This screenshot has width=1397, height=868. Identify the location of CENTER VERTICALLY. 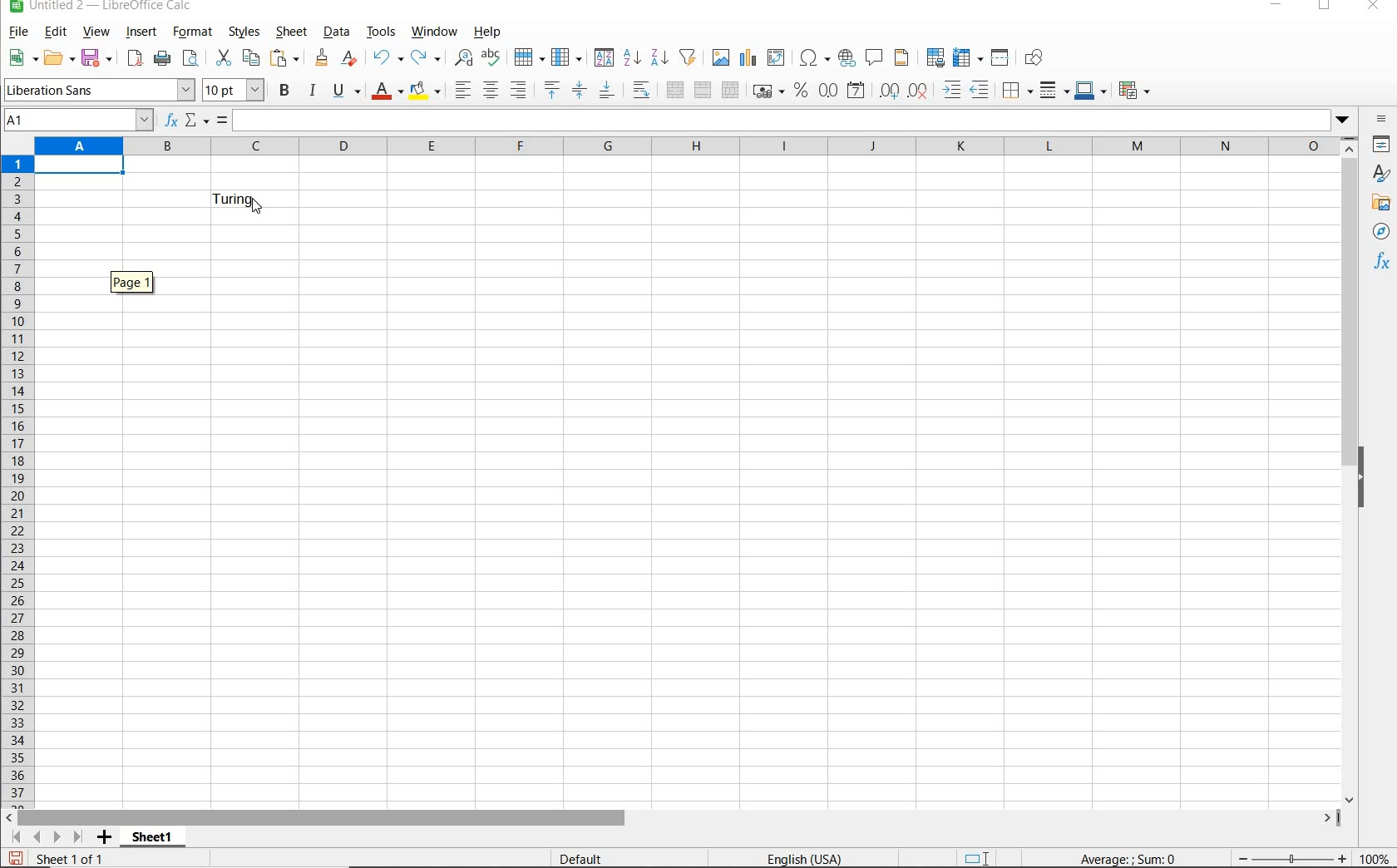
(580, 91).